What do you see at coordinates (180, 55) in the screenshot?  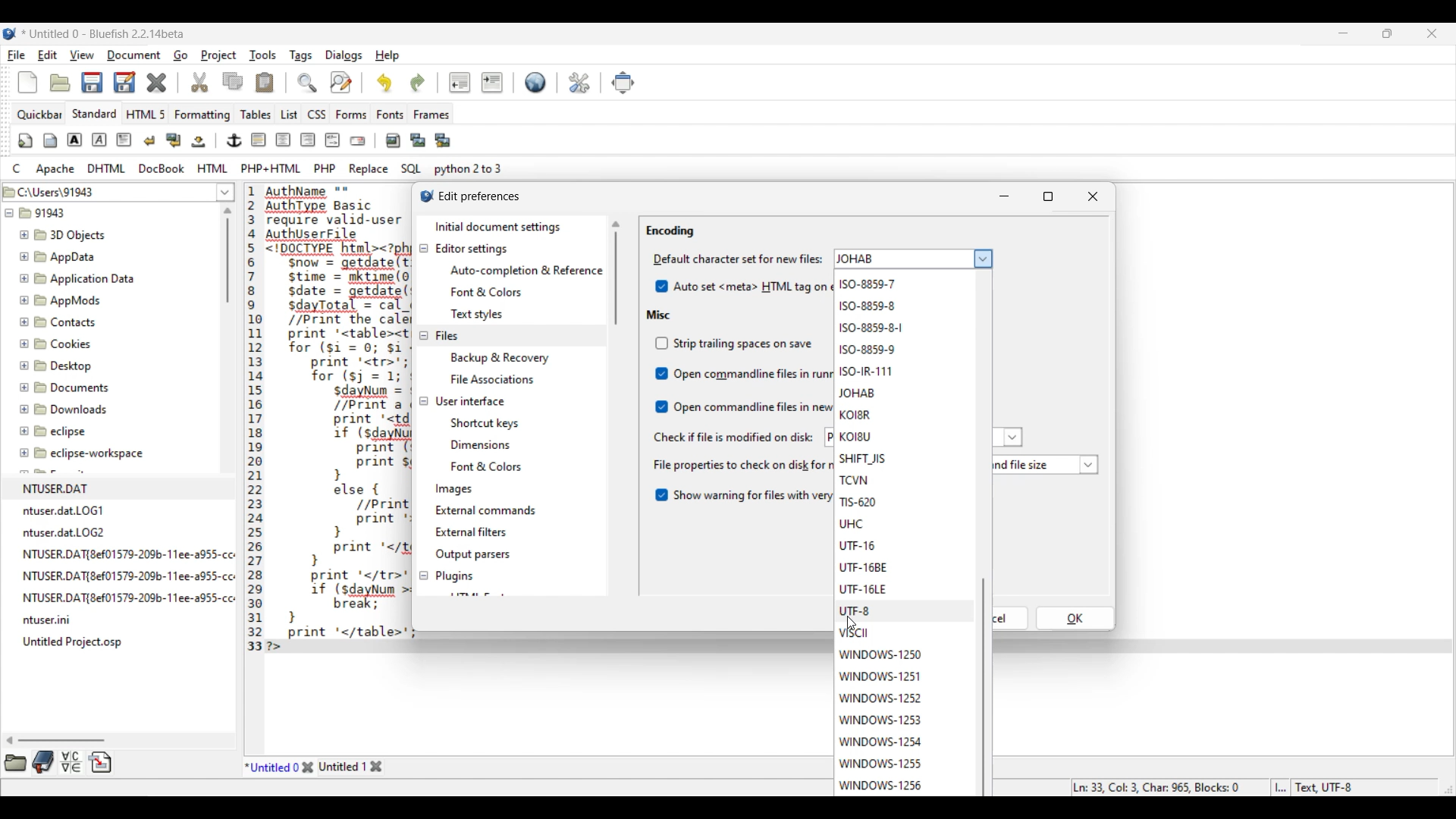 I see `Go menu` at bounding box center [180, 55].